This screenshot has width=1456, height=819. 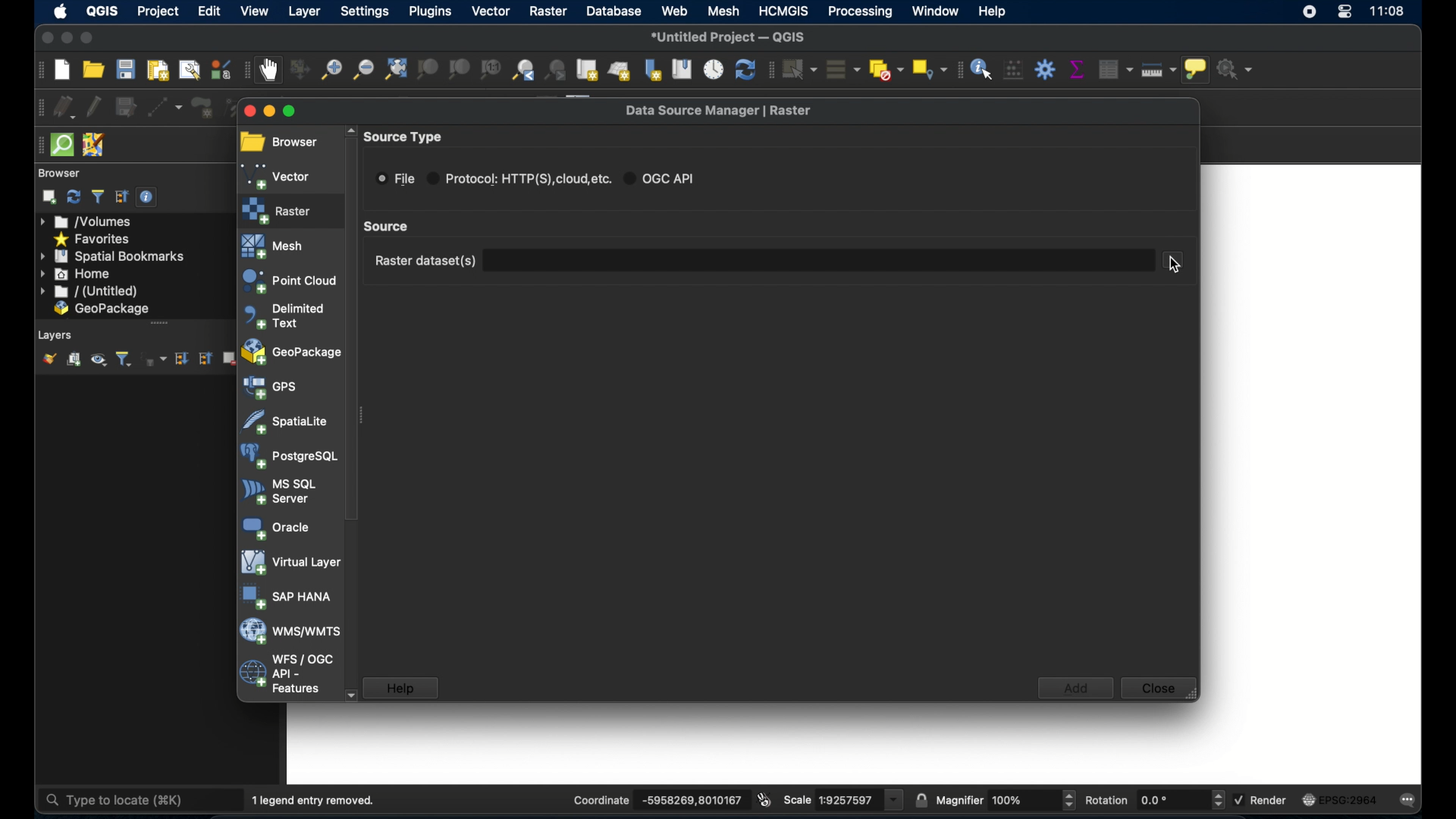 What do you see at coordinates (290, 561) in the screenshot?
I see `virtual layer` at bounding box center [290, 561].